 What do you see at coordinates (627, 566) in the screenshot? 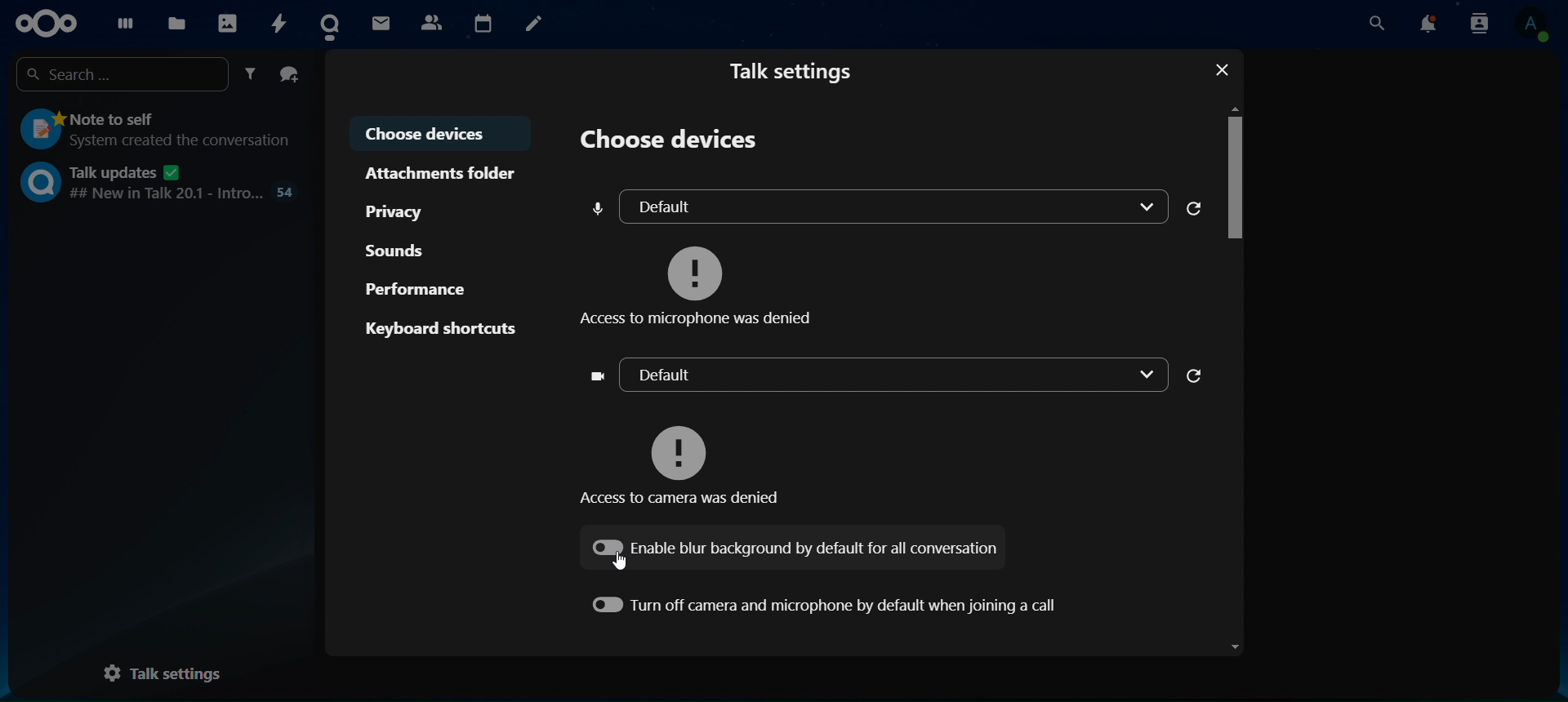
I see `cursor` at bounding box center [627, 566].